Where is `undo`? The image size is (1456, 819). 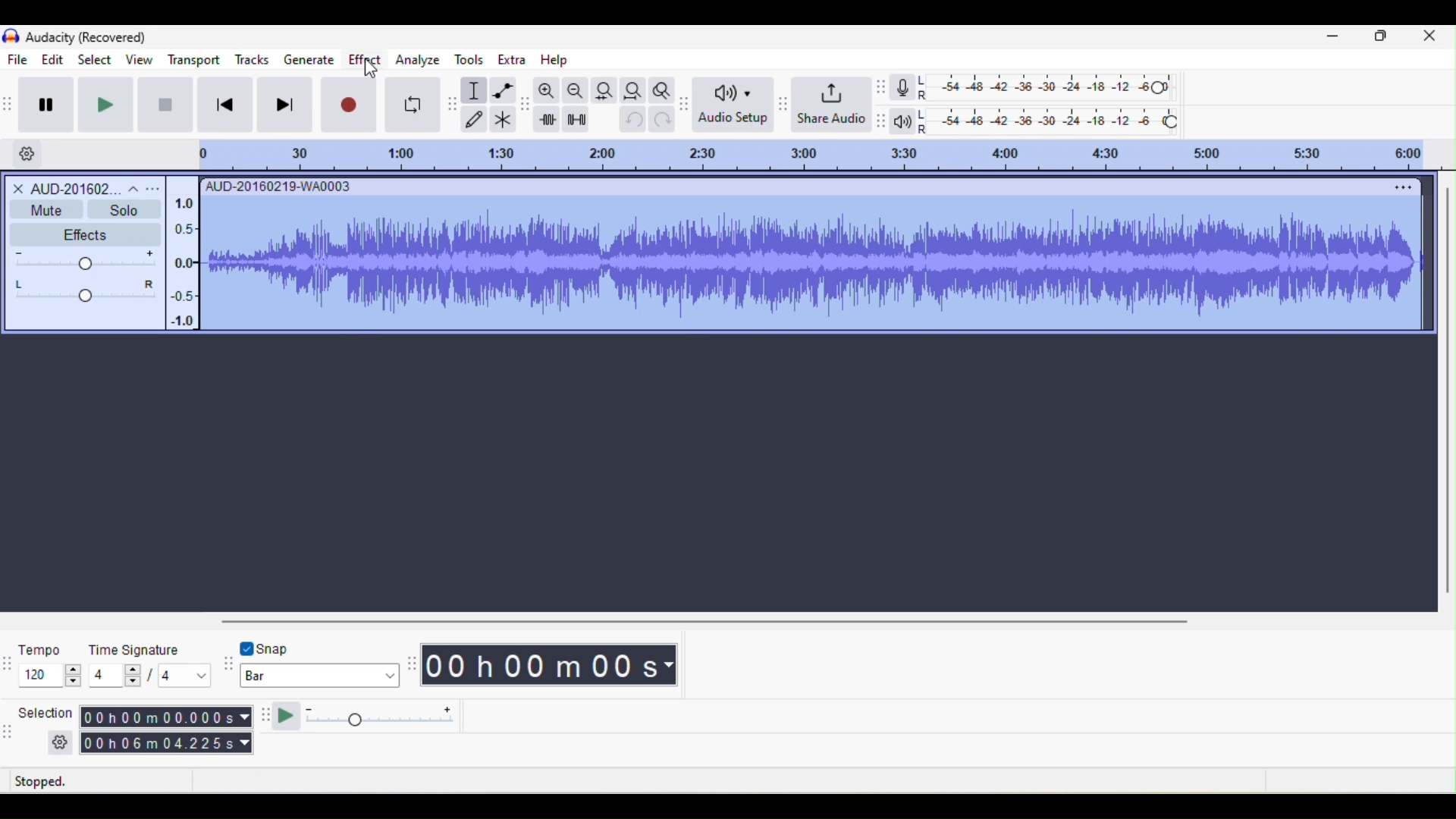 undo is located at coordinates (630, 123).